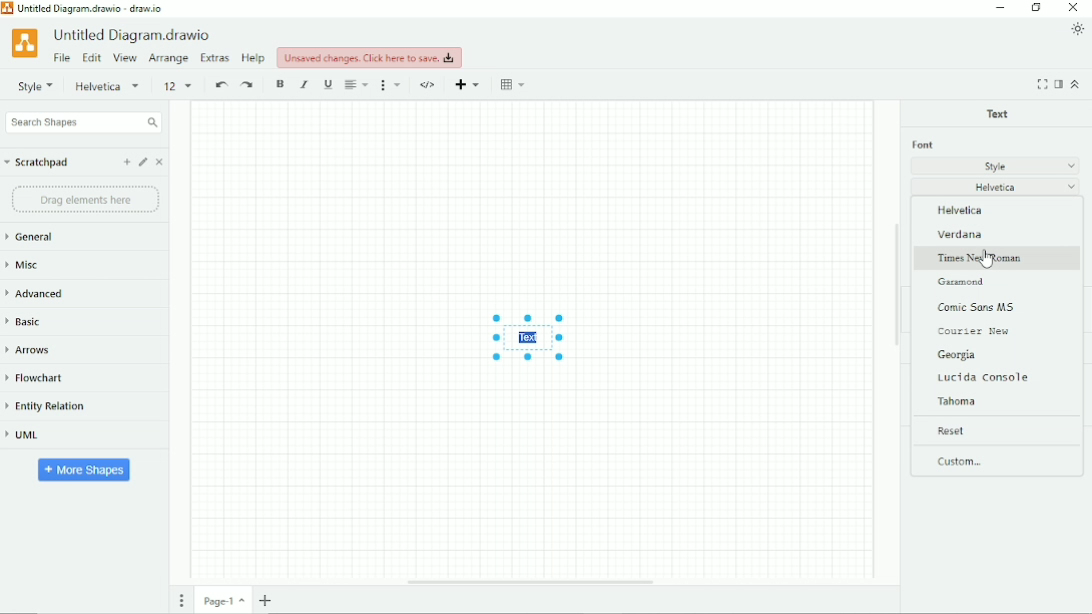 This screenshot has height=614, width=1092. Describe the element at coordinates (1077, 30) in the screenshot. I see `Appearance` at that location.